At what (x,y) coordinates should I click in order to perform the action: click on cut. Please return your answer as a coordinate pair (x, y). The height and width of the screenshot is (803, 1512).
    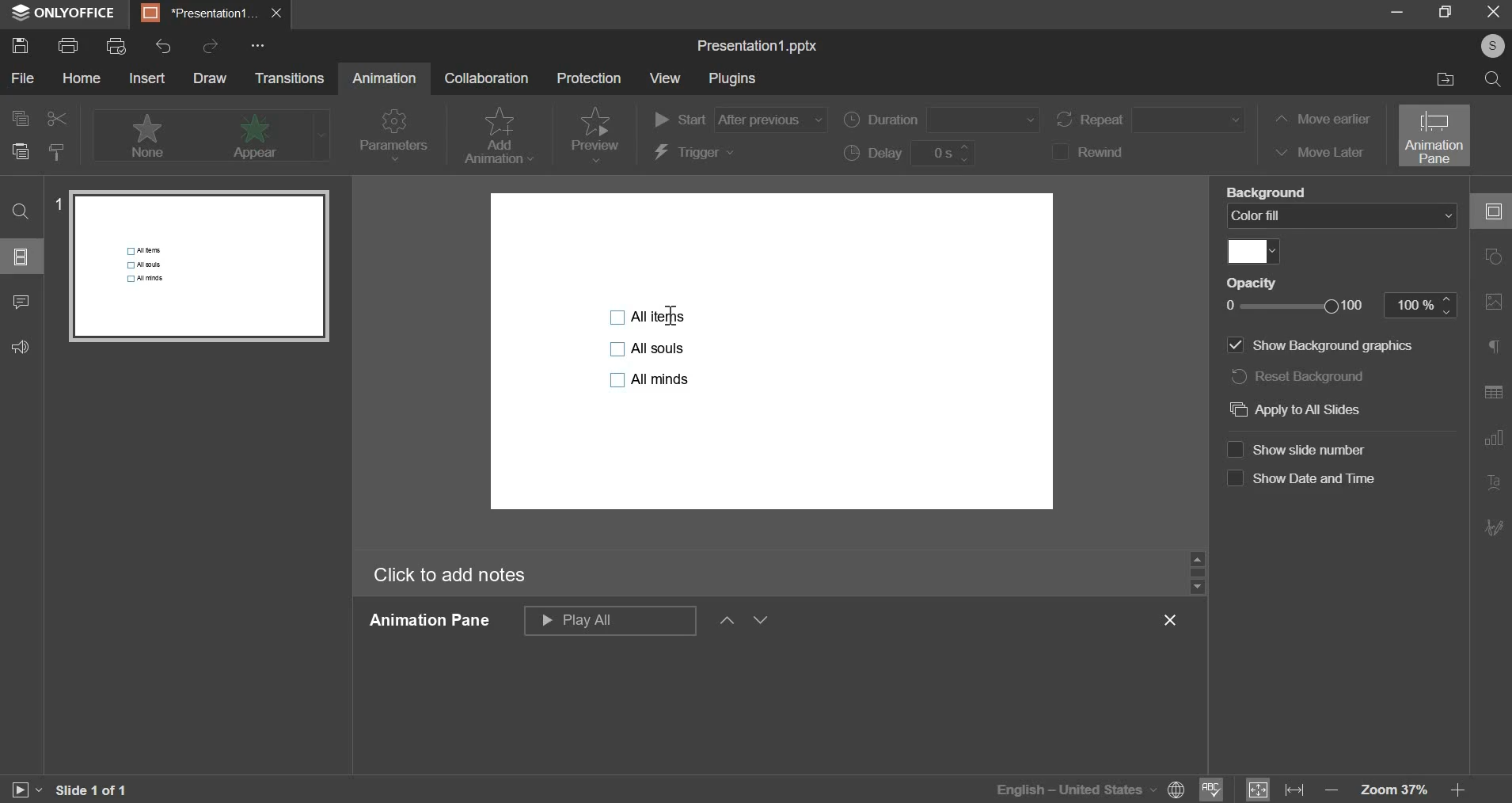
    Looking at the image, I should click on (54, 118).